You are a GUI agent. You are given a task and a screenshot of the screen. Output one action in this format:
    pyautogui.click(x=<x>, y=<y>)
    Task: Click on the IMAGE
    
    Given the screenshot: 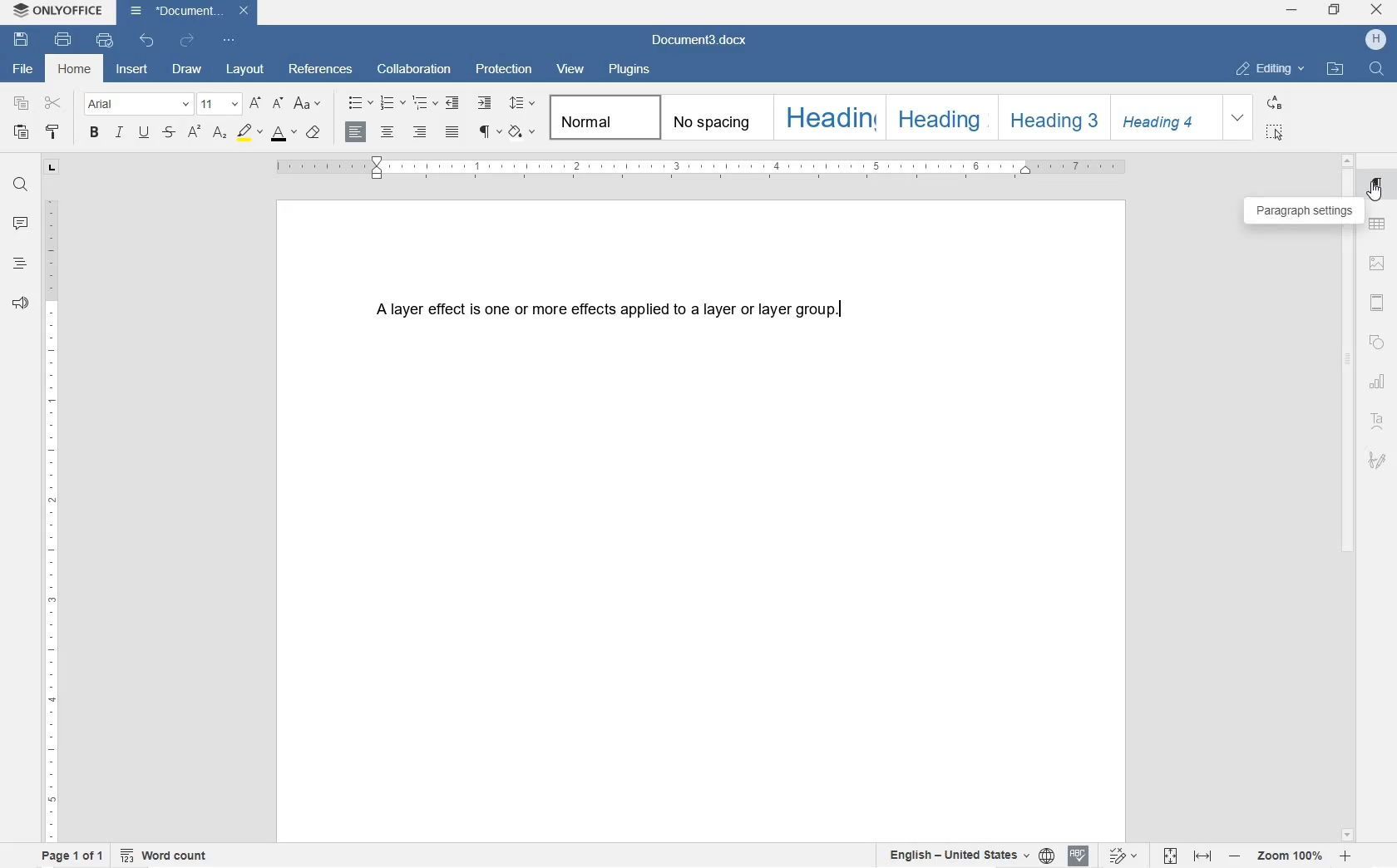 What is the action you would take?
    pyautogui.click(x=1378, y=264)
    